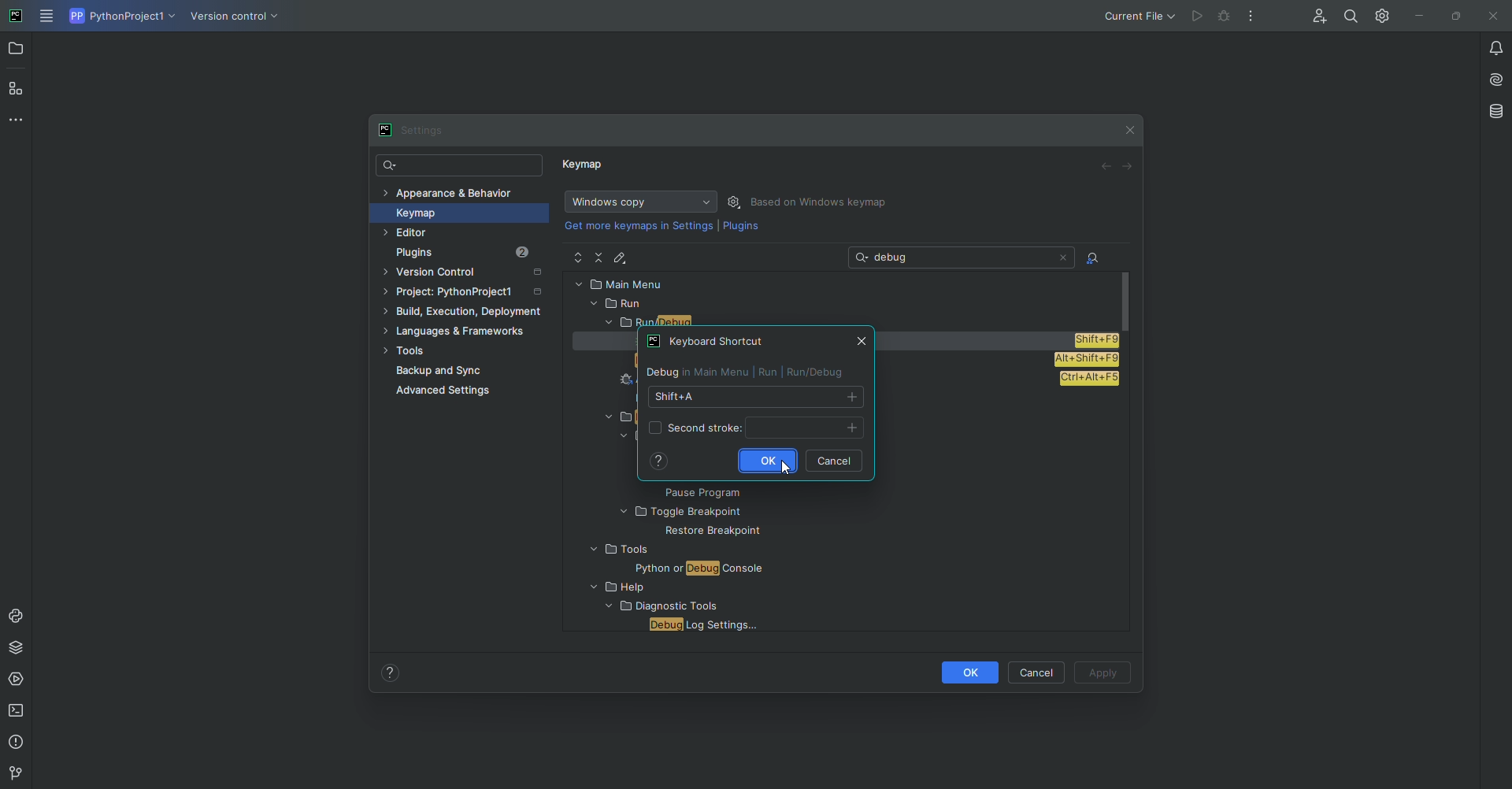 The width and height of the screenshot is (1512, 789). What do you see at coordinates (638, 202) in the screenshot?
I see `Windows Copy` at bounding box center [638, 202].